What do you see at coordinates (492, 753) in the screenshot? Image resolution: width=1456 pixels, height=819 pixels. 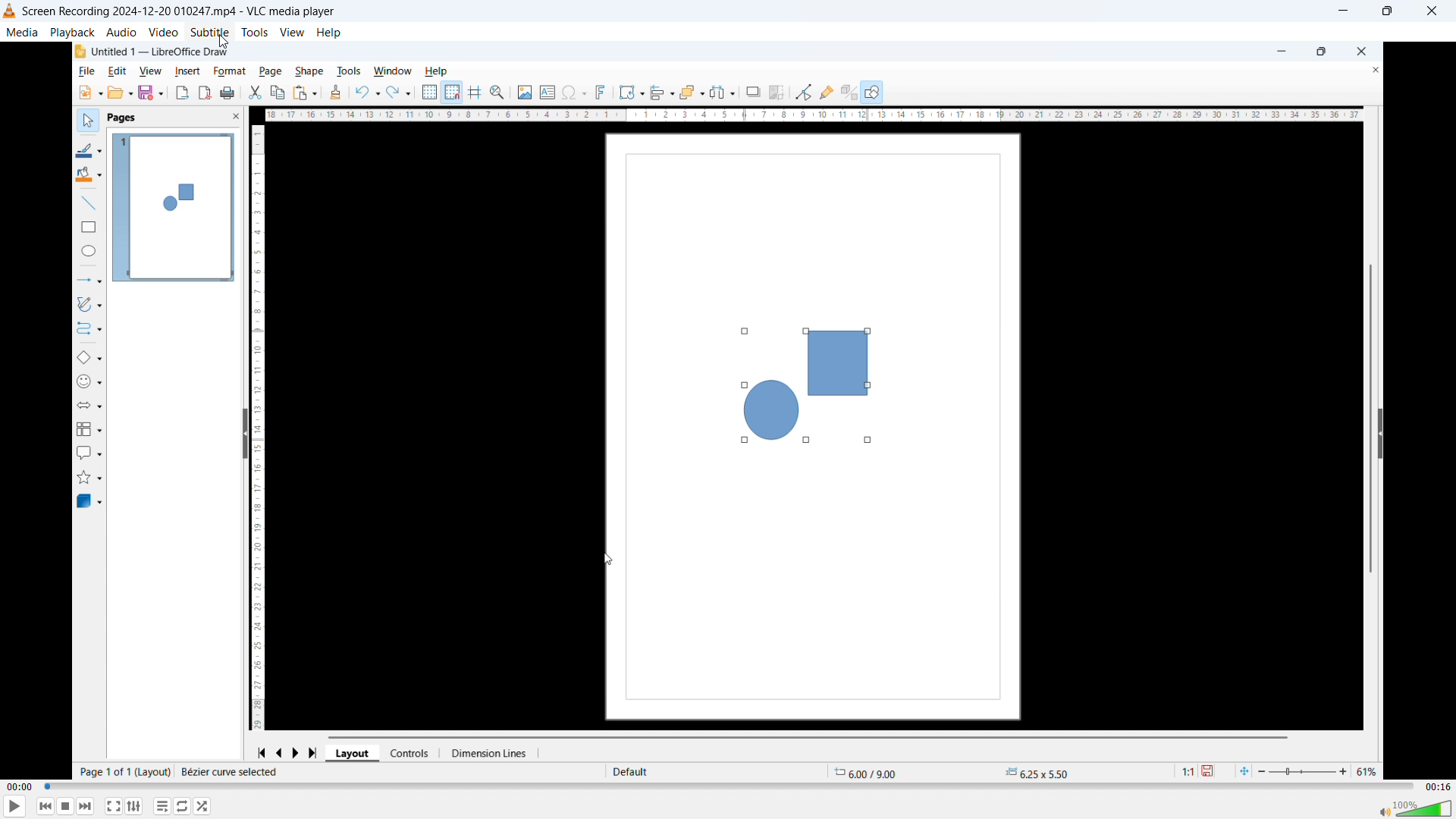 I see `dimension lines` at bounding box center [492, 753].